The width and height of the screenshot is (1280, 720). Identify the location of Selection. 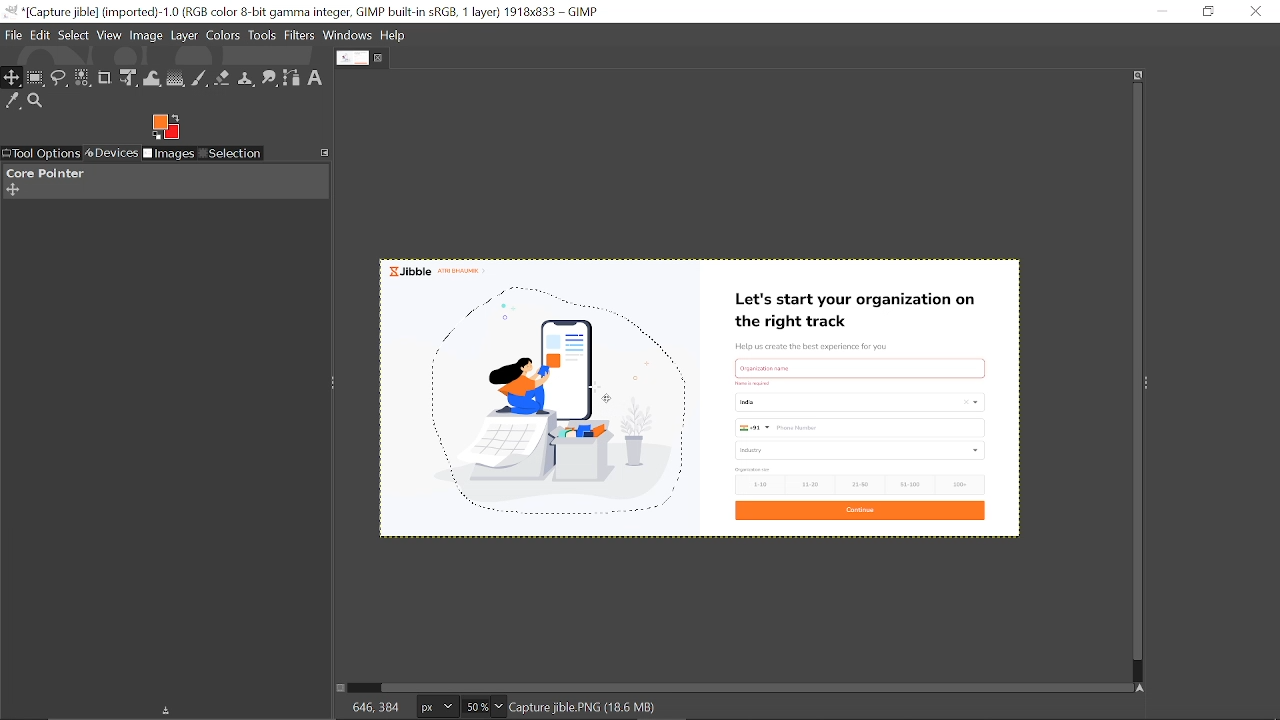
(230, 155).